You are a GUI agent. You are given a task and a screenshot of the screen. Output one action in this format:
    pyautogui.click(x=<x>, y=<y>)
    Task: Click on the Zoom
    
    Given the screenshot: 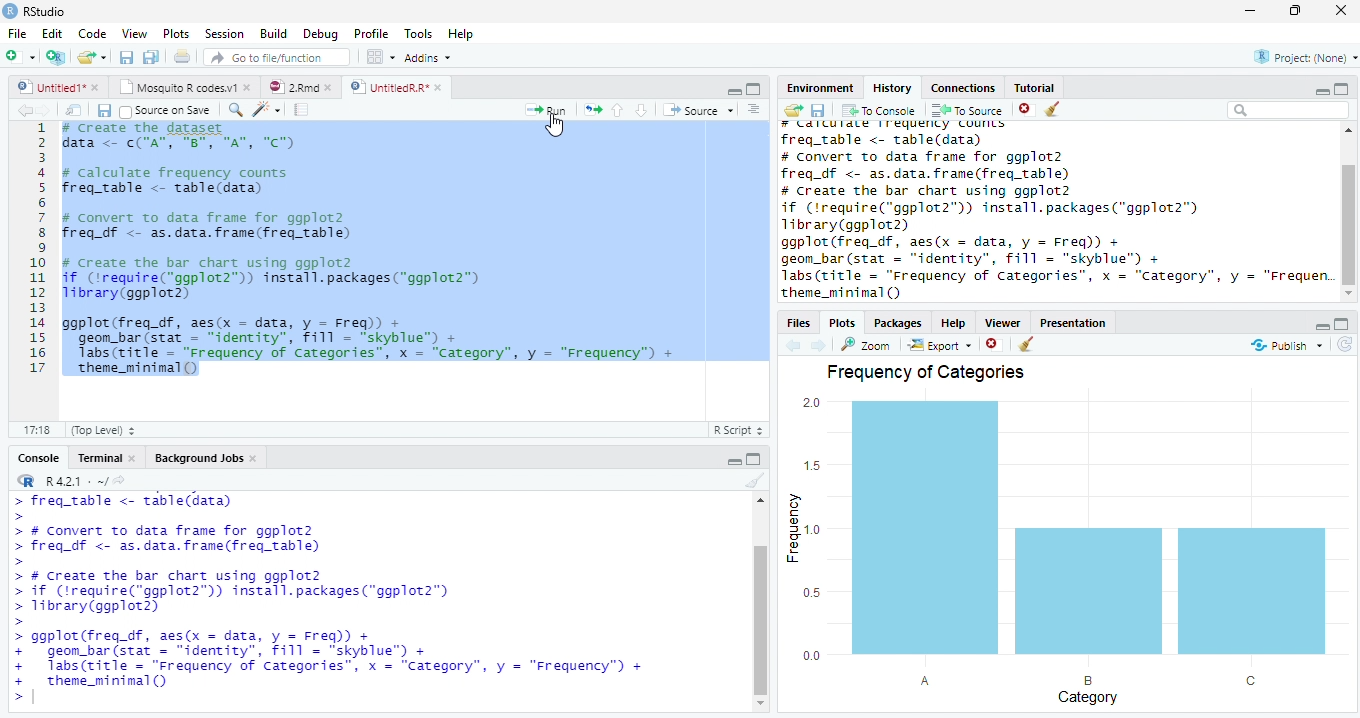 What is the action you would take?
    pyautogui.click(x=236, y=111)
    